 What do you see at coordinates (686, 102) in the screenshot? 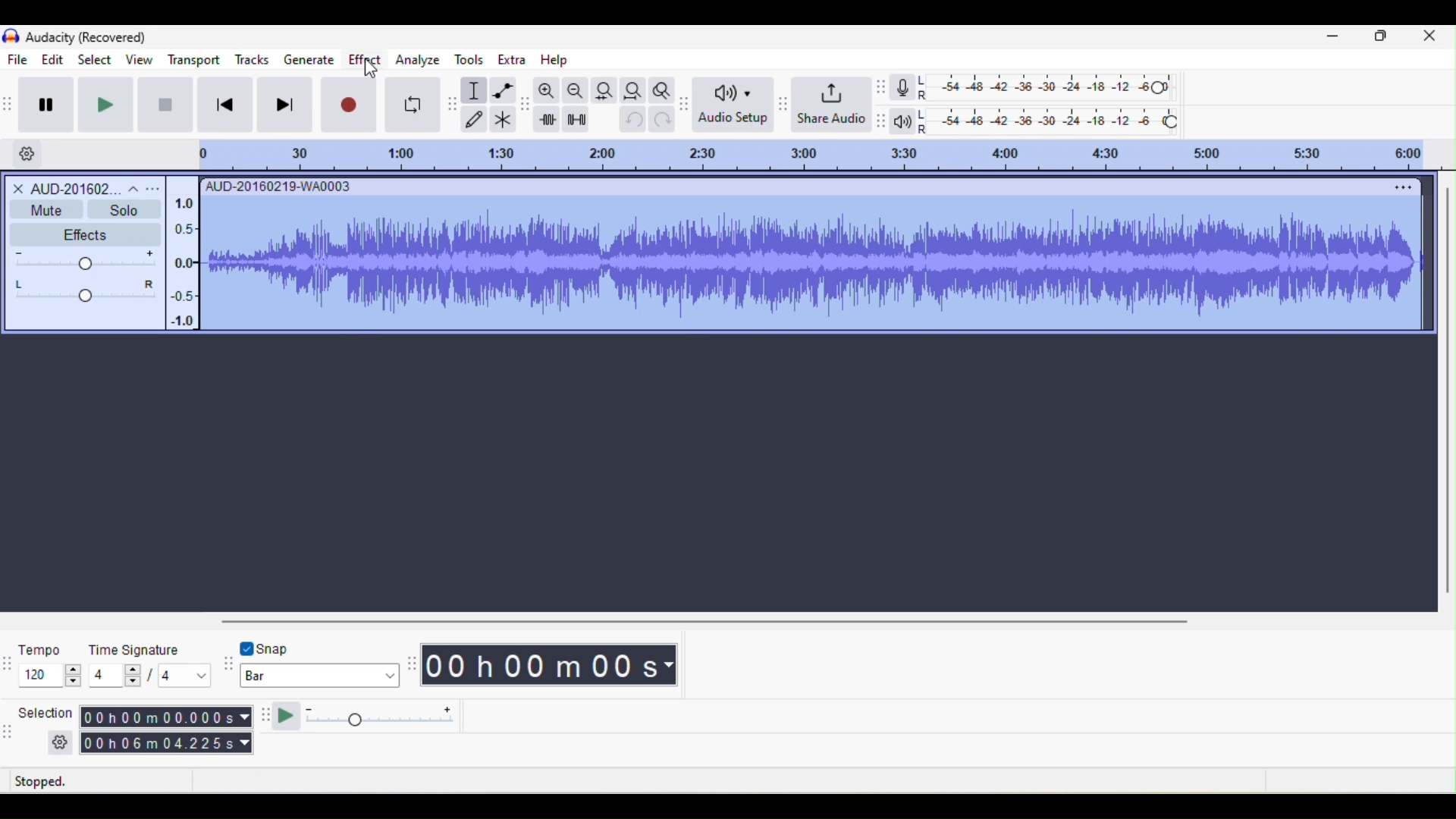
I see `audacity audio setup` at bounding box center [686, 102].